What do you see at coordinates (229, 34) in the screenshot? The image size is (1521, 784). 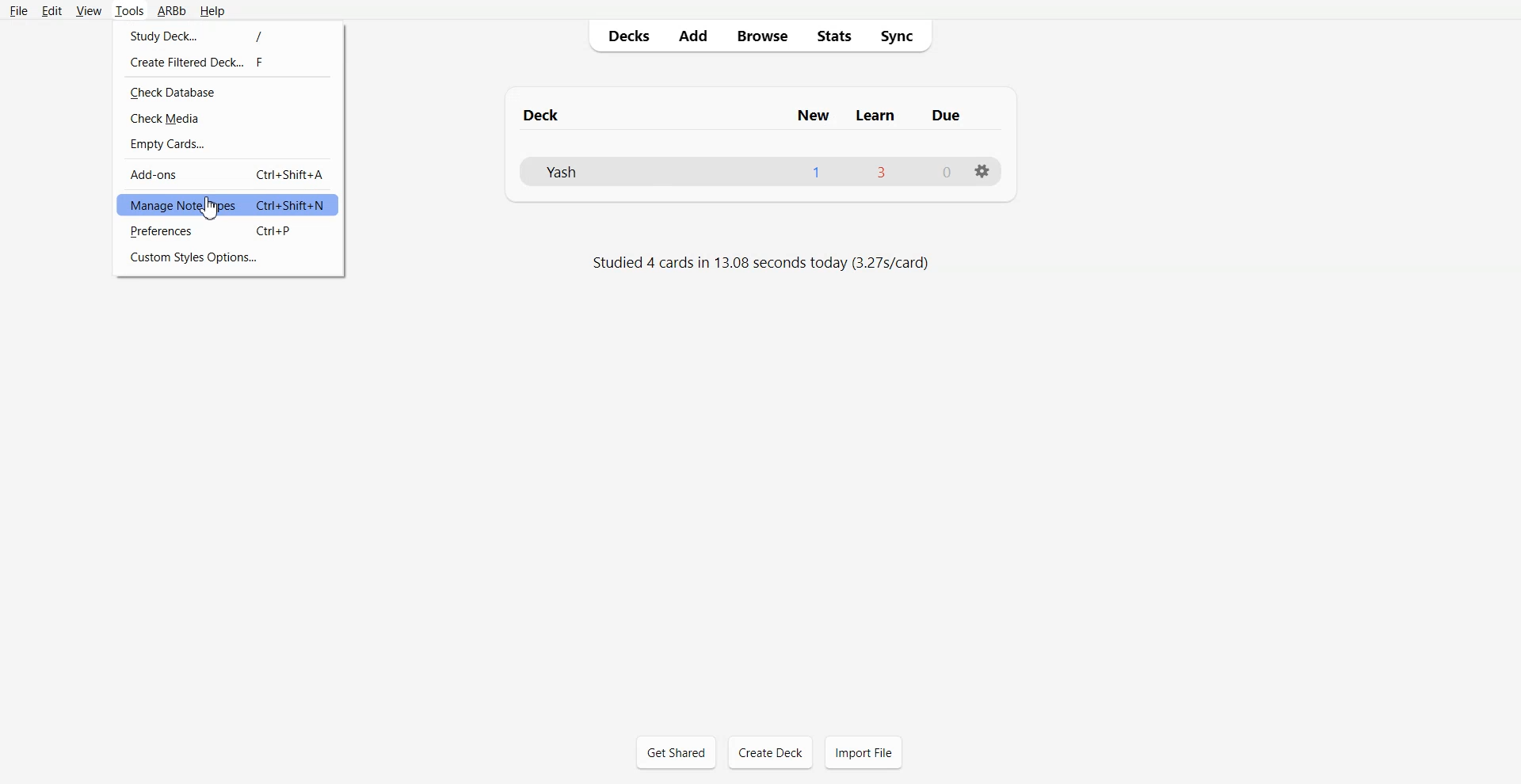 I see `Study Deck` at bounding box center [229, 34].